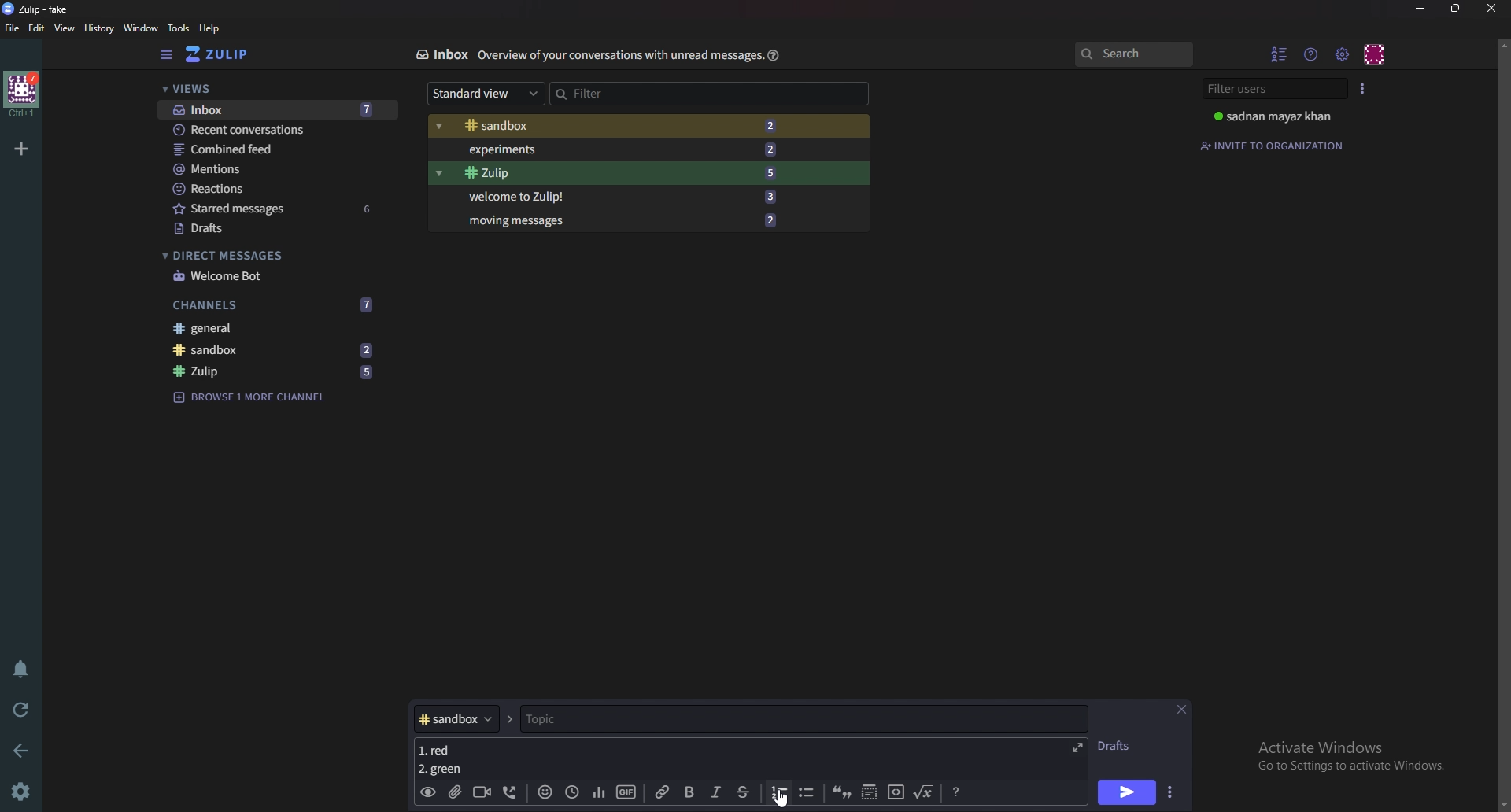  What do you see at coordinates (453, 794) in the screenshot?
I see `Add a file` at bounding box center [453, 794].